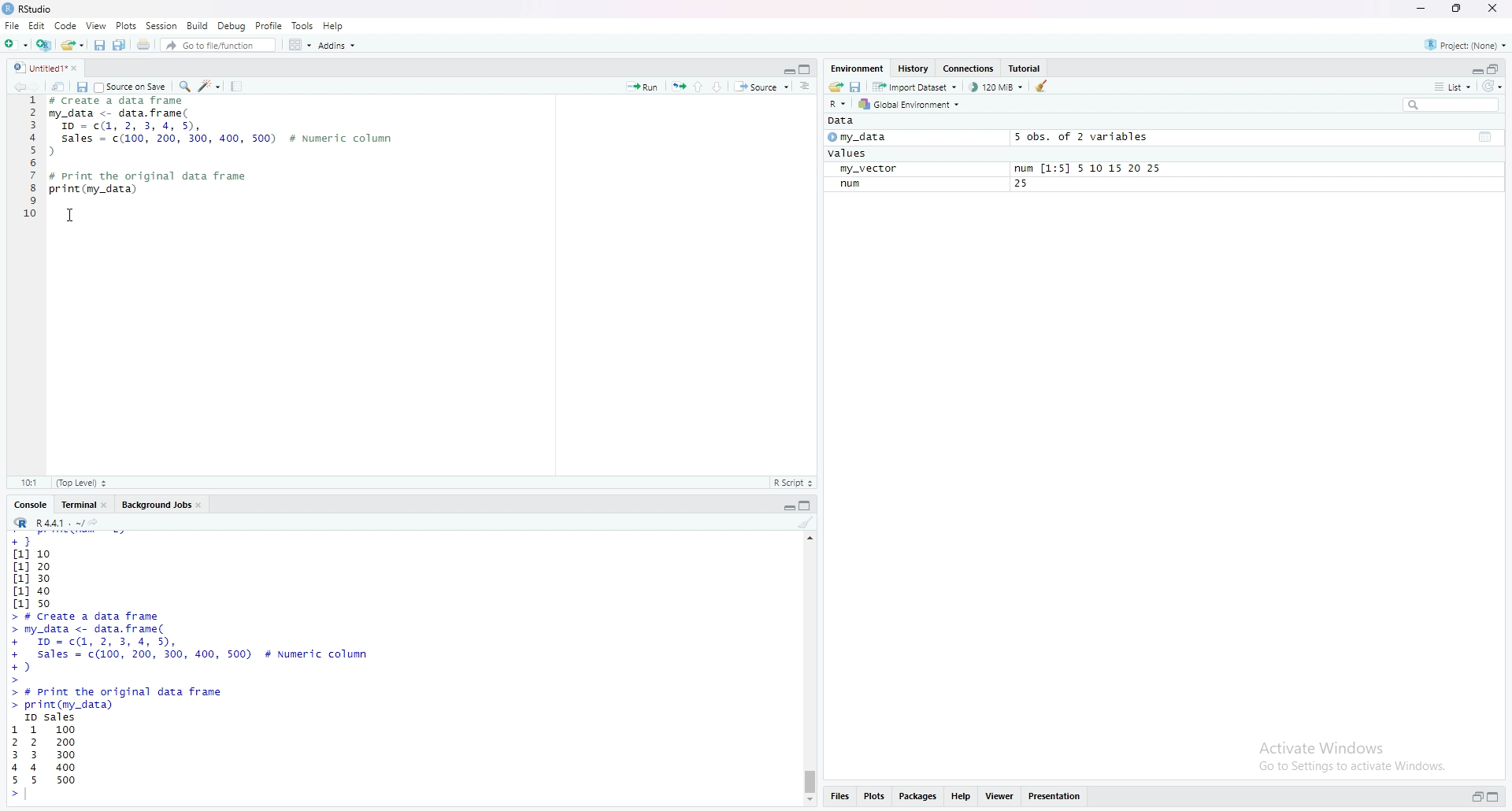  Describe the element at coordinates (28, 483) in the screenshot. I see `10:1` at that location.